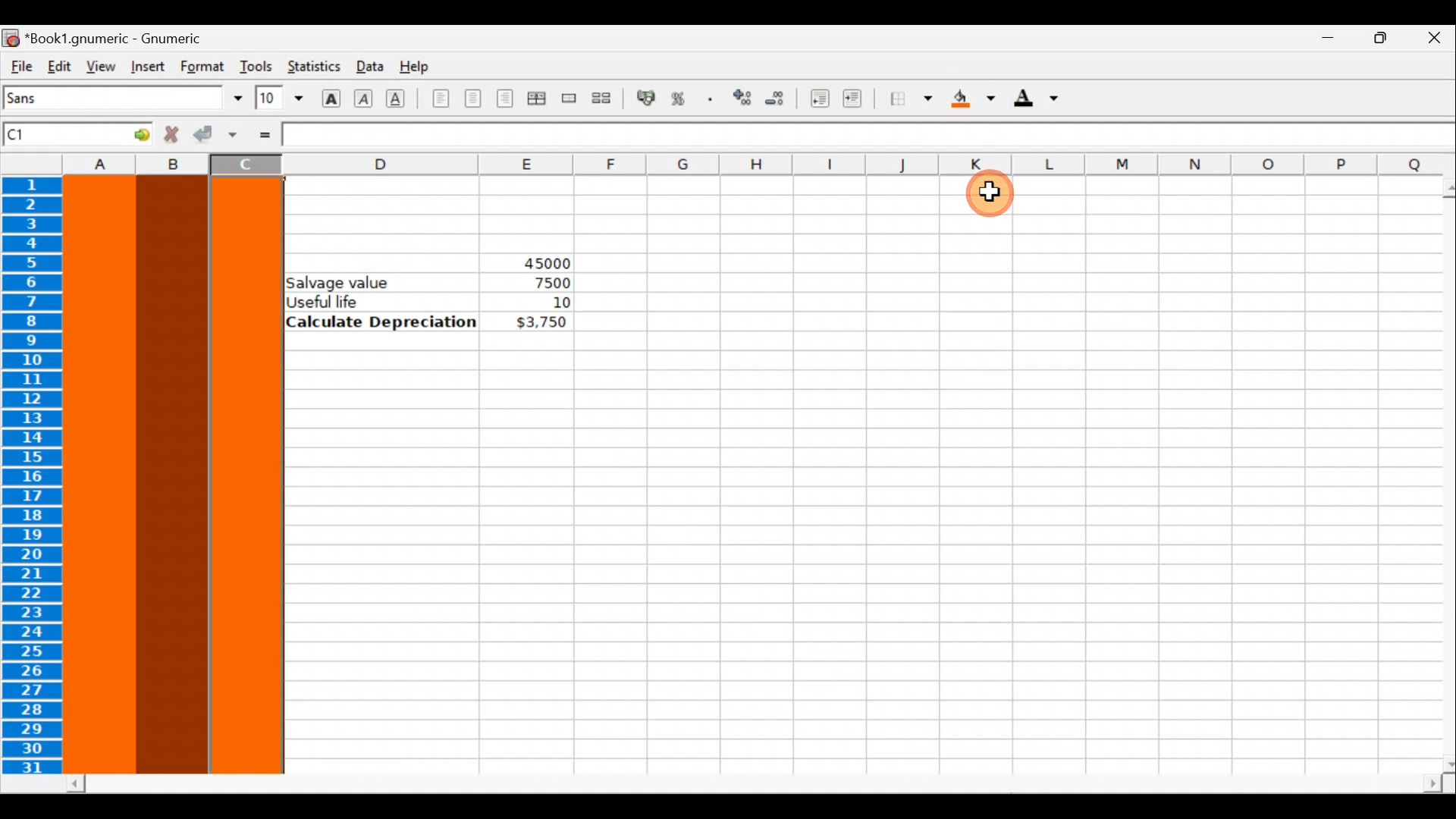 This screenshot has width=1456, height=819. Describe the element at coordinates (368, 65) in the screenshot. I see `Data` at that location.